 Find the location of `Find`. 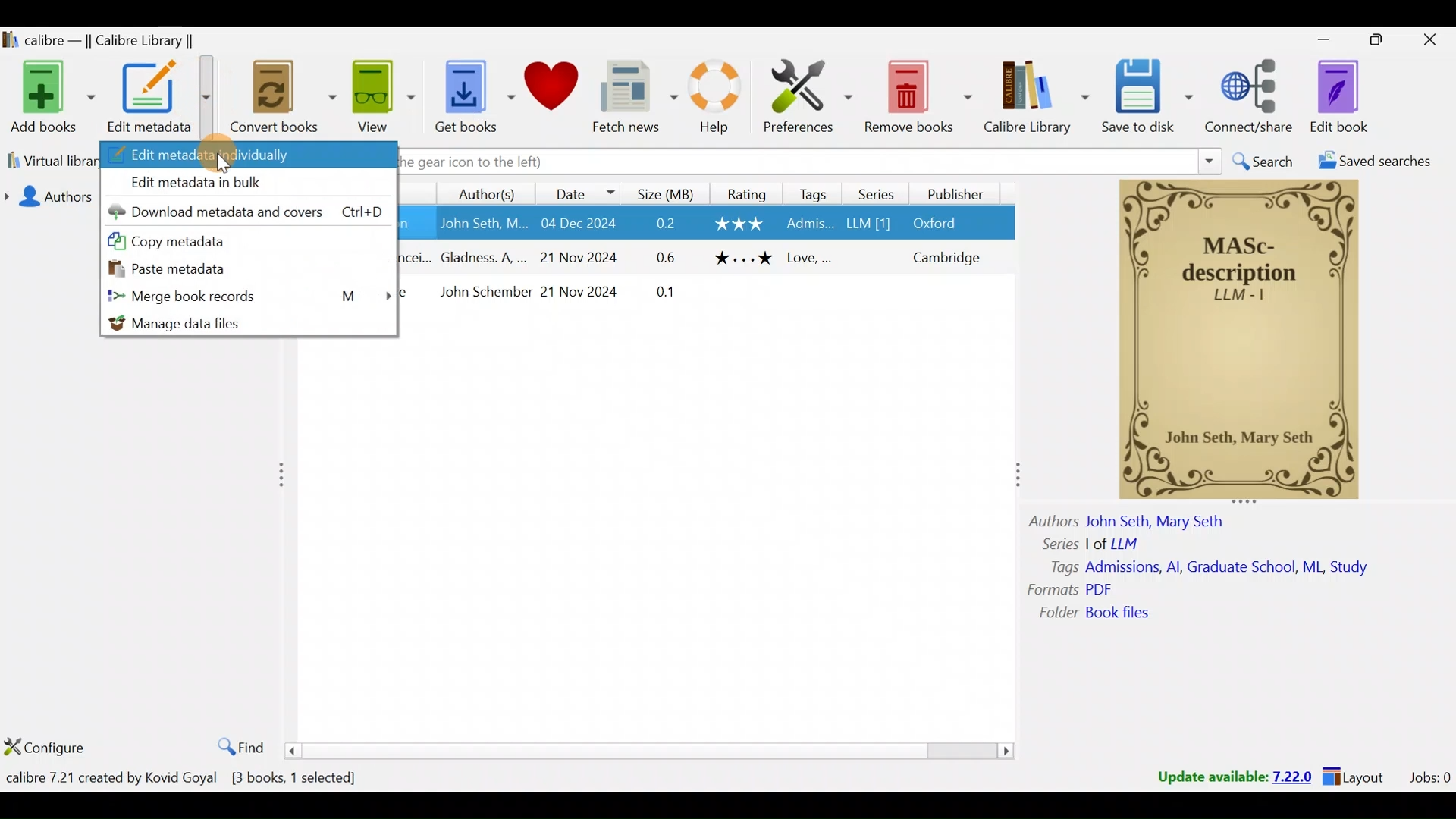

Find is located at coordinates (237, 745).